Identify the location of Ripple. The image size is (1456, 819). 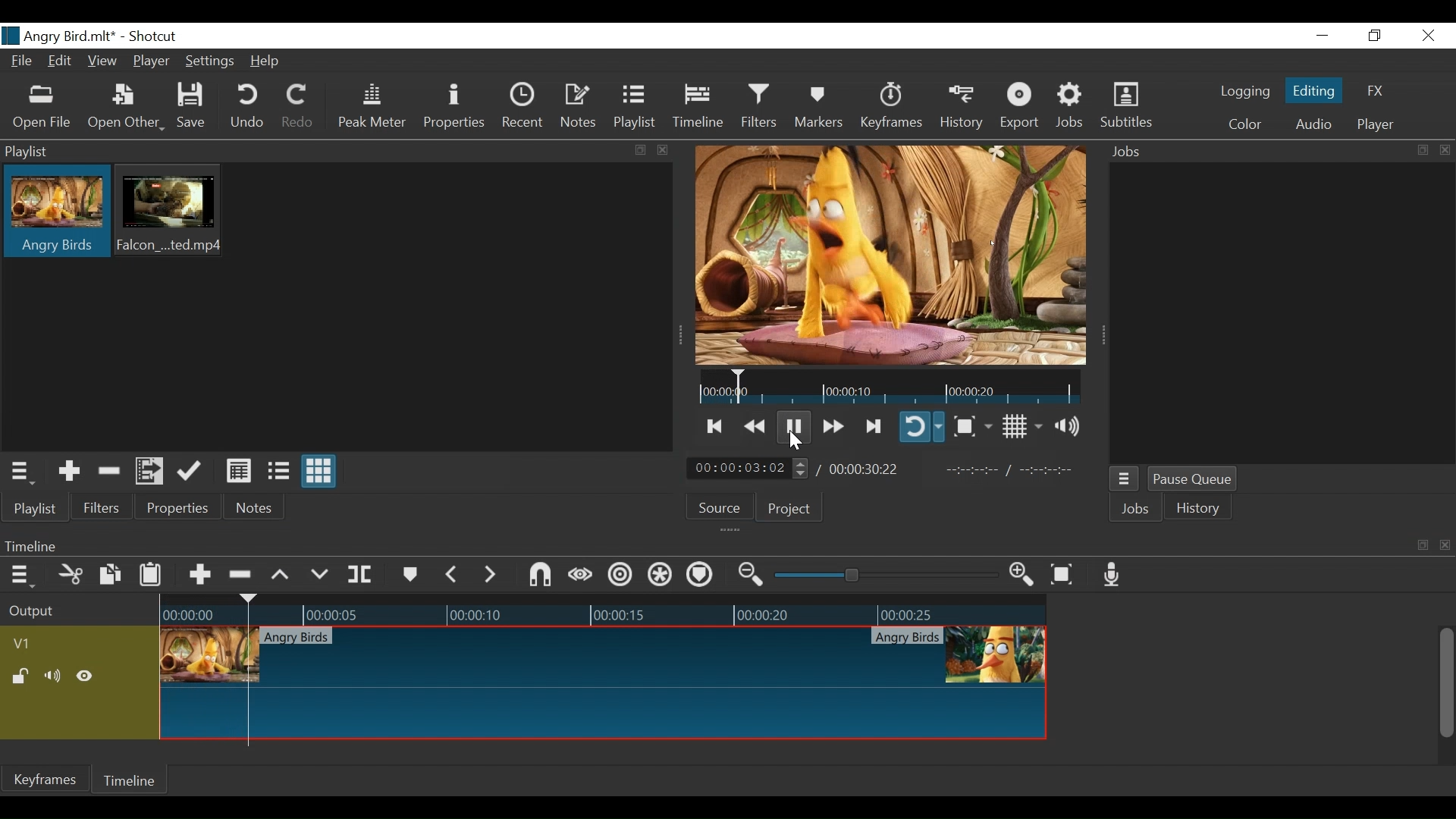
(620, 575).